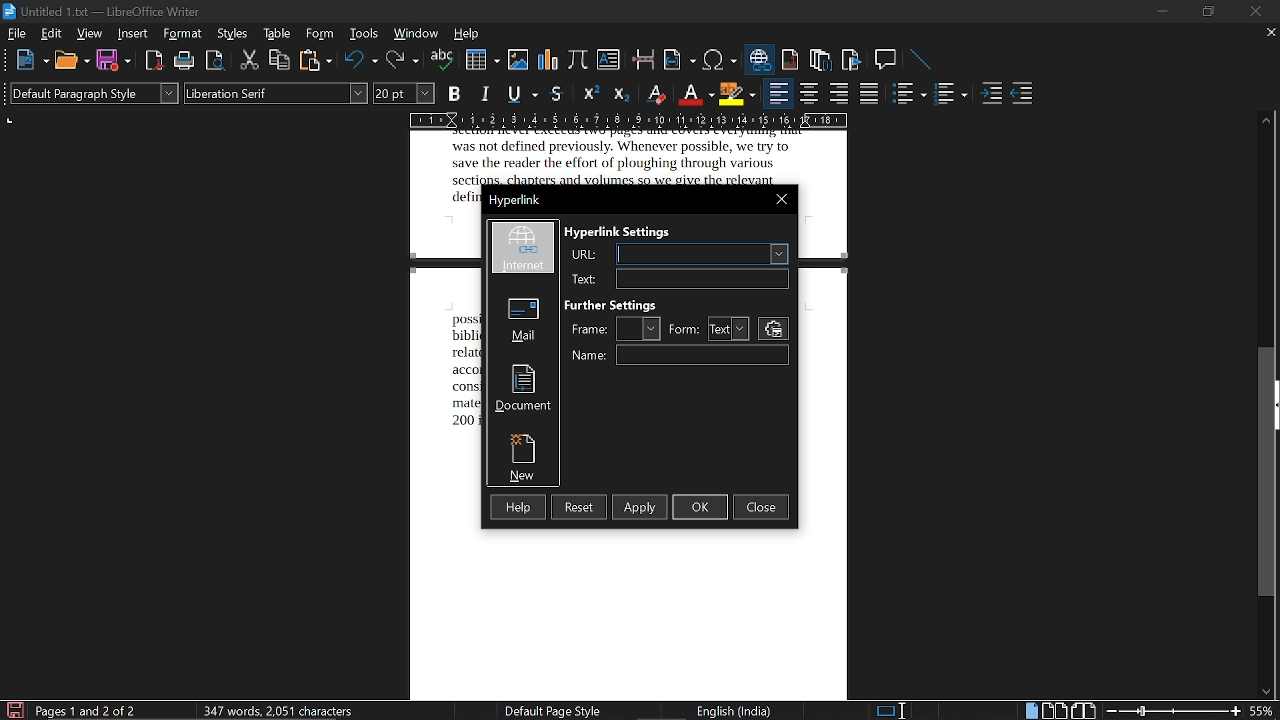 This screenshot has width=1280, height=720. I want to click on highlight, so click(737, 93).